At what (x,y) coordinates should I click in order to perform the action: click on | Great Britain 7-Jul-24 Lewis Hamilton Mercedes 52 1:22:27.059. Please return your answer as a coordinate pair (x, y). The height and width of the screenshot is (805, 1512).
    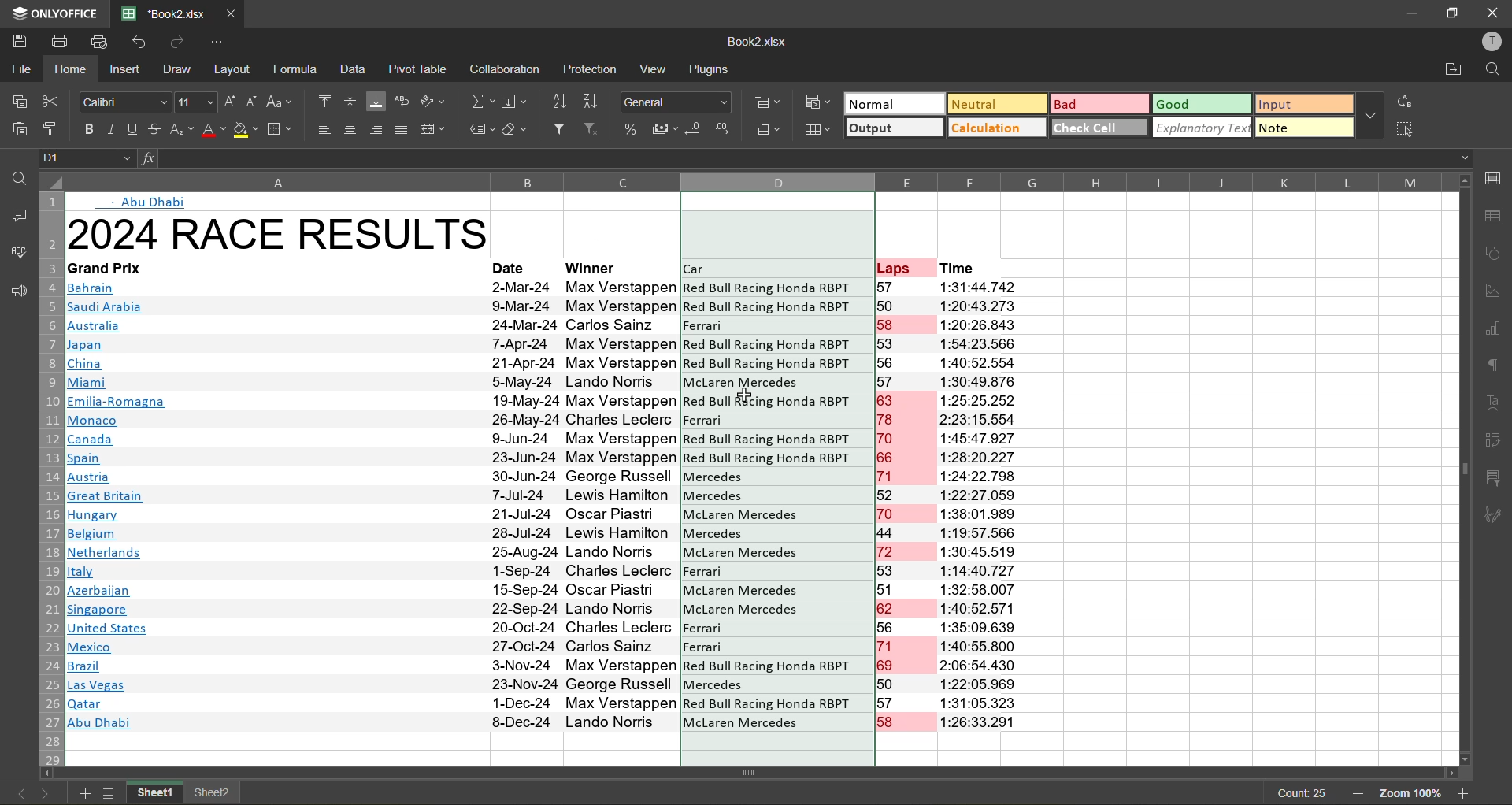
    Looking at the image, I should click on (547, 495).